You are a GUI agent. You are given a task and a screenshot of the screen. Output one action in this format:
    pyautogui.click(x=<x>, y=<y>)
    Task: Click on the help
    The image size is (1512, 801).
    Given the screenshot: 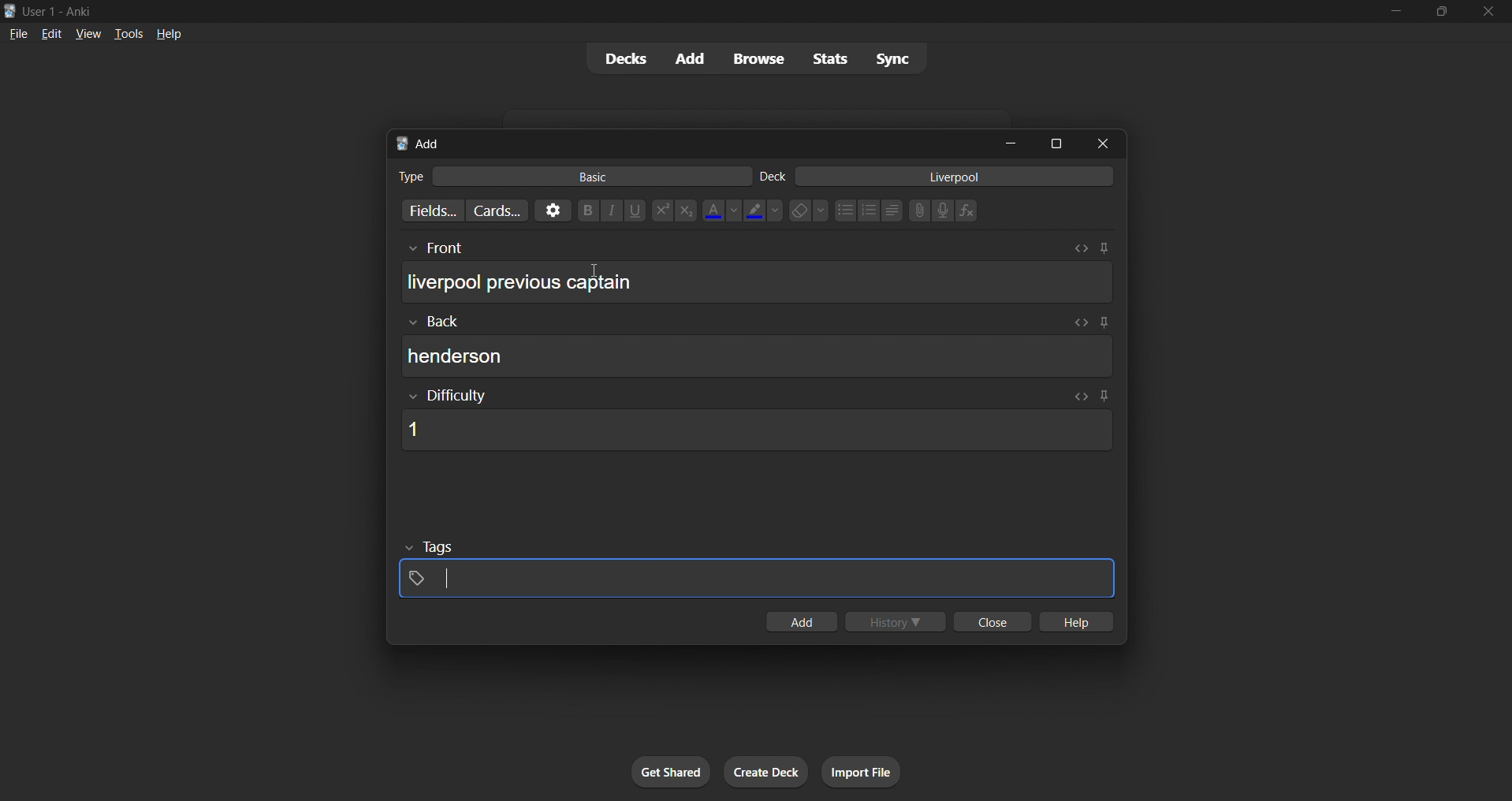 What is the action you would take?
    pyautogui.click(x=171, y=32)
    